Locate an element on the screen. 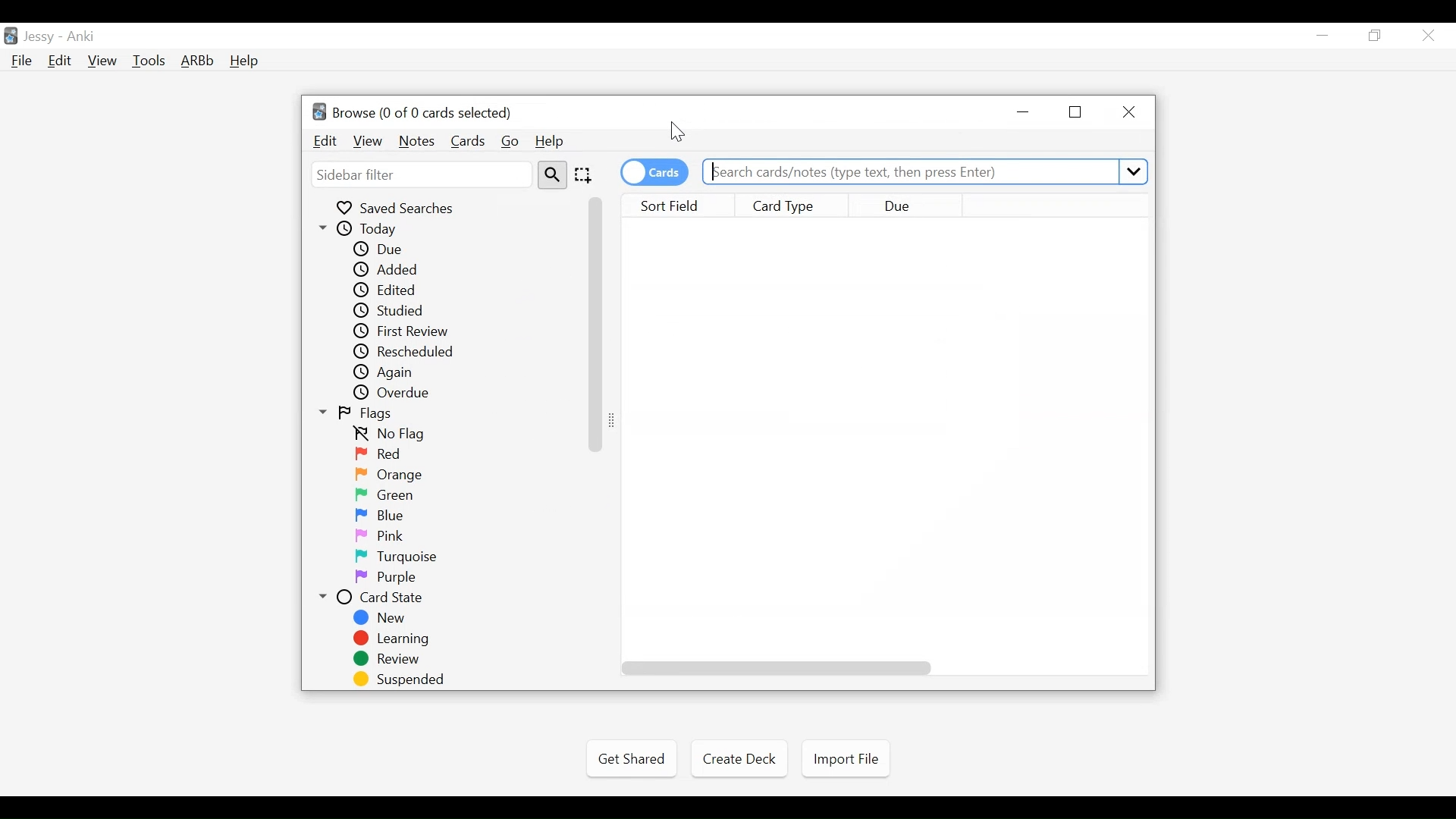  Search Cards/notes is located at coordinates (926, 171).